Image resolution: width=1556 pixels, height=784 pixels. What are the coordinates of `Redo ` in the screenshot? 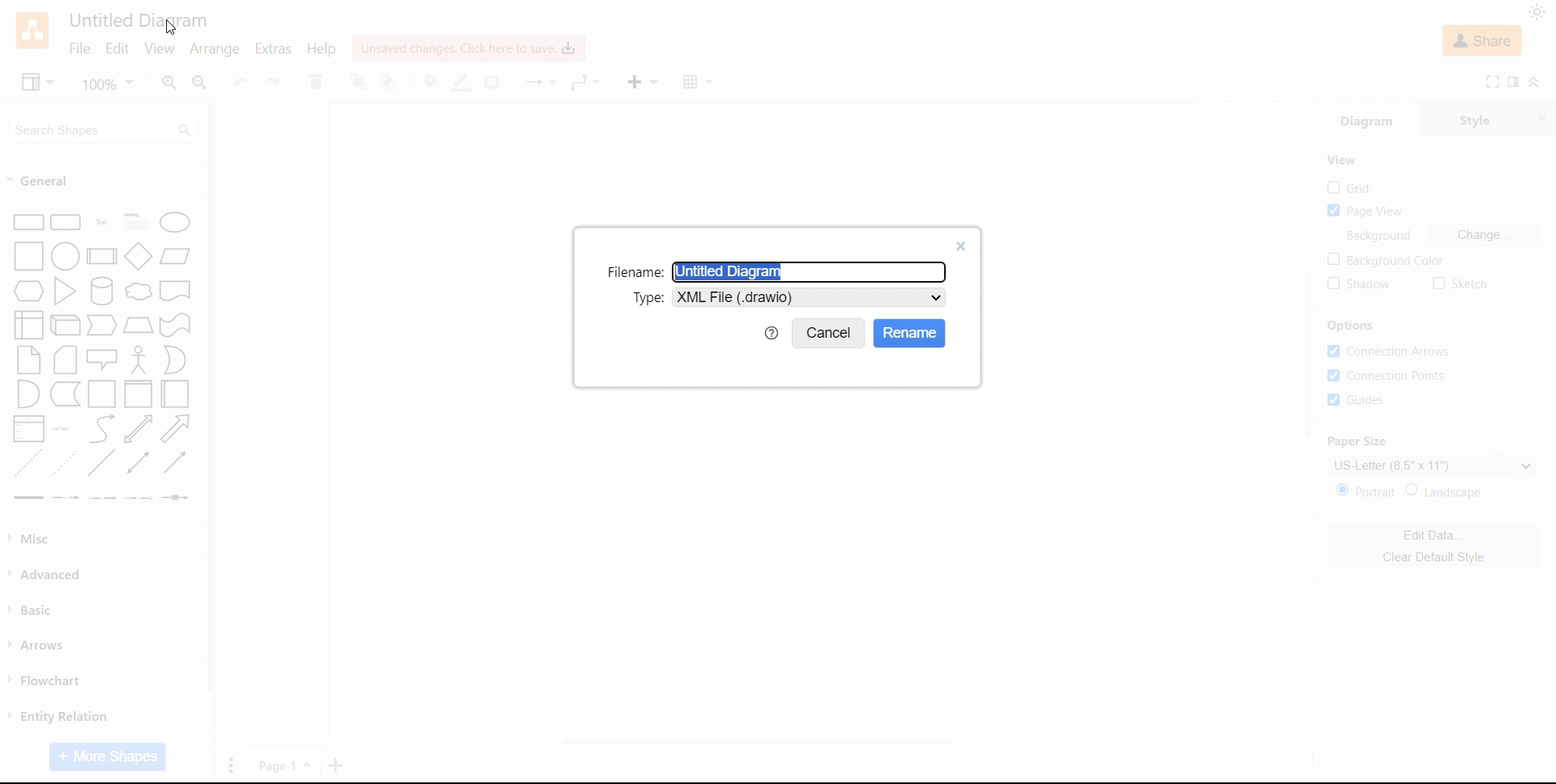 It's located at (273, 83).